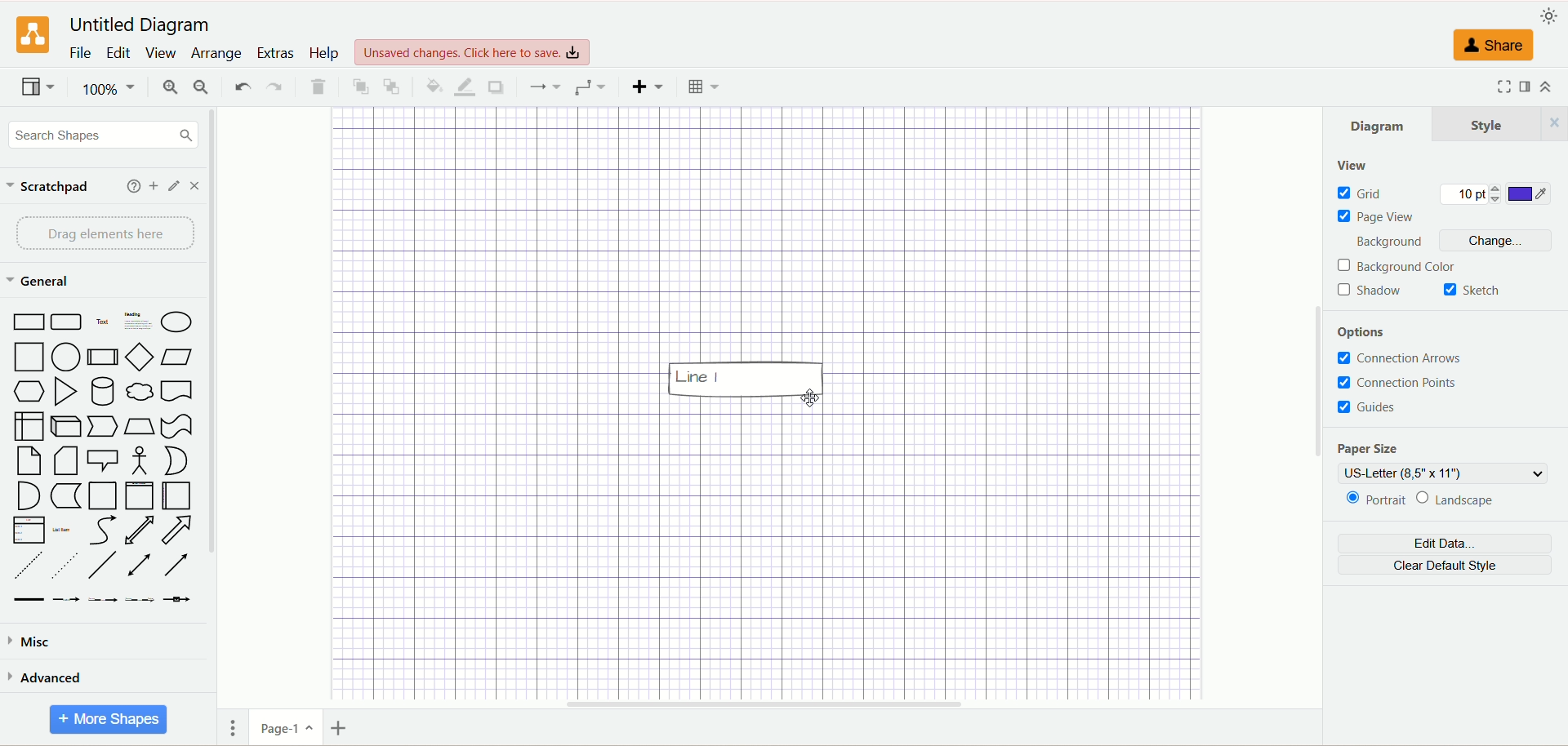 The width and height of the screenshot is (1568, 746). Describe the element at coordinates (172, 186) in the screenshot. I see `edit` at that location.